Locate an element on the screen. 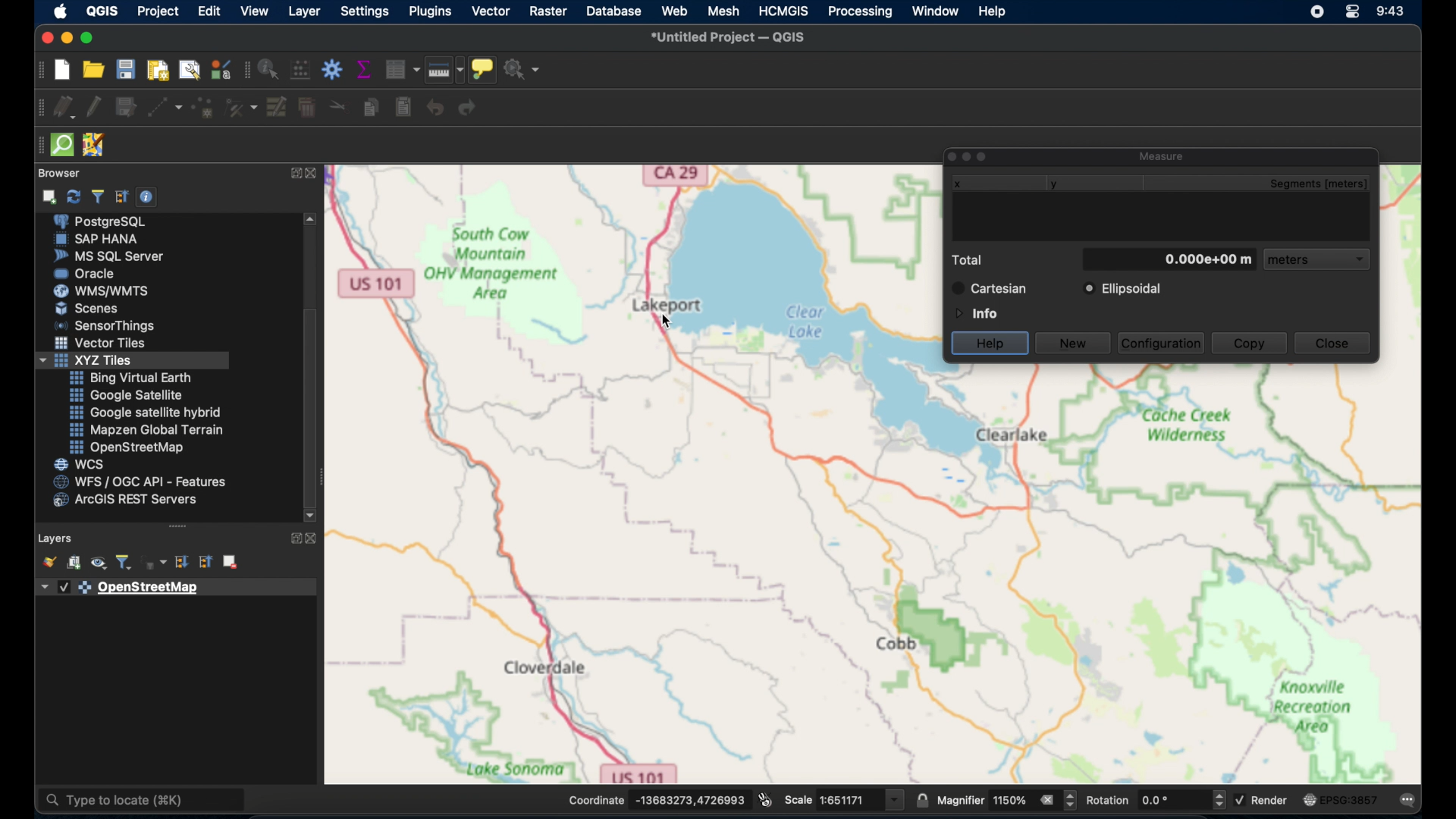  scroll box is located at coordinates (312, 404).